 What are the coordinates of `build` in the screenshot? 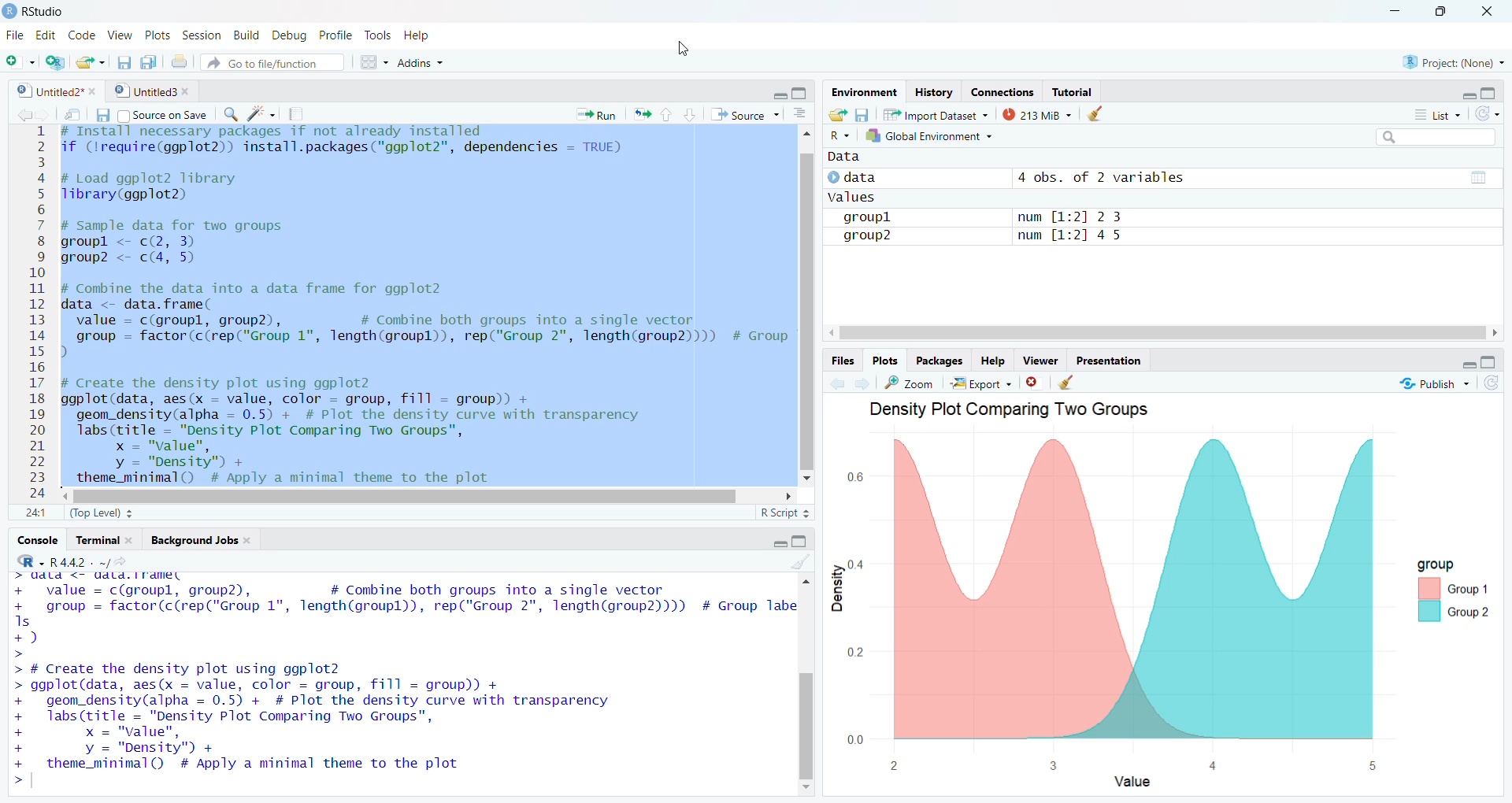 It's located at (246, 35).